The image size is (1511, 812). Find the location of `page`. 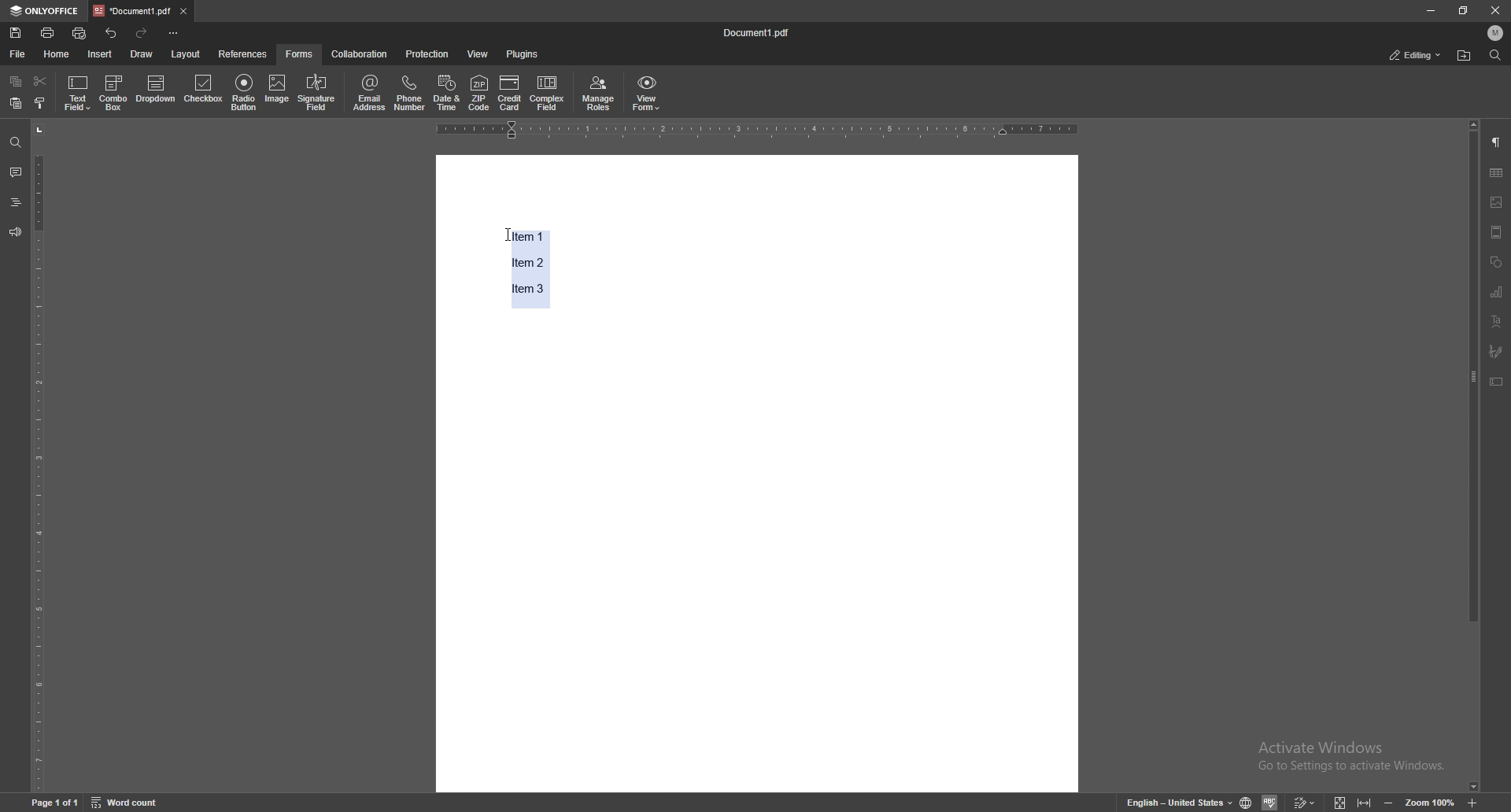

page is located at coordinates (54, 802).